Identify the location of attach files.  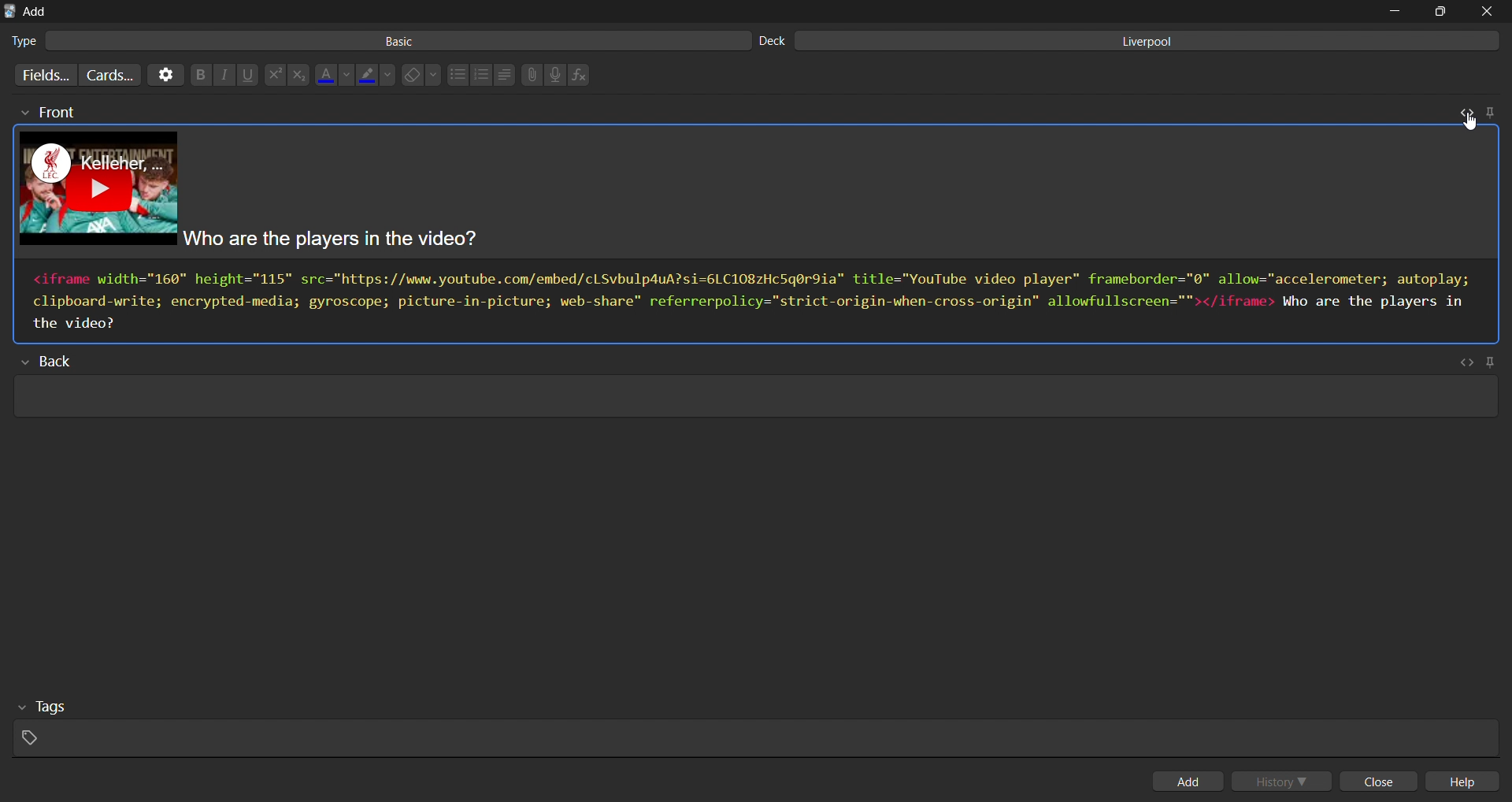
(531, 75).